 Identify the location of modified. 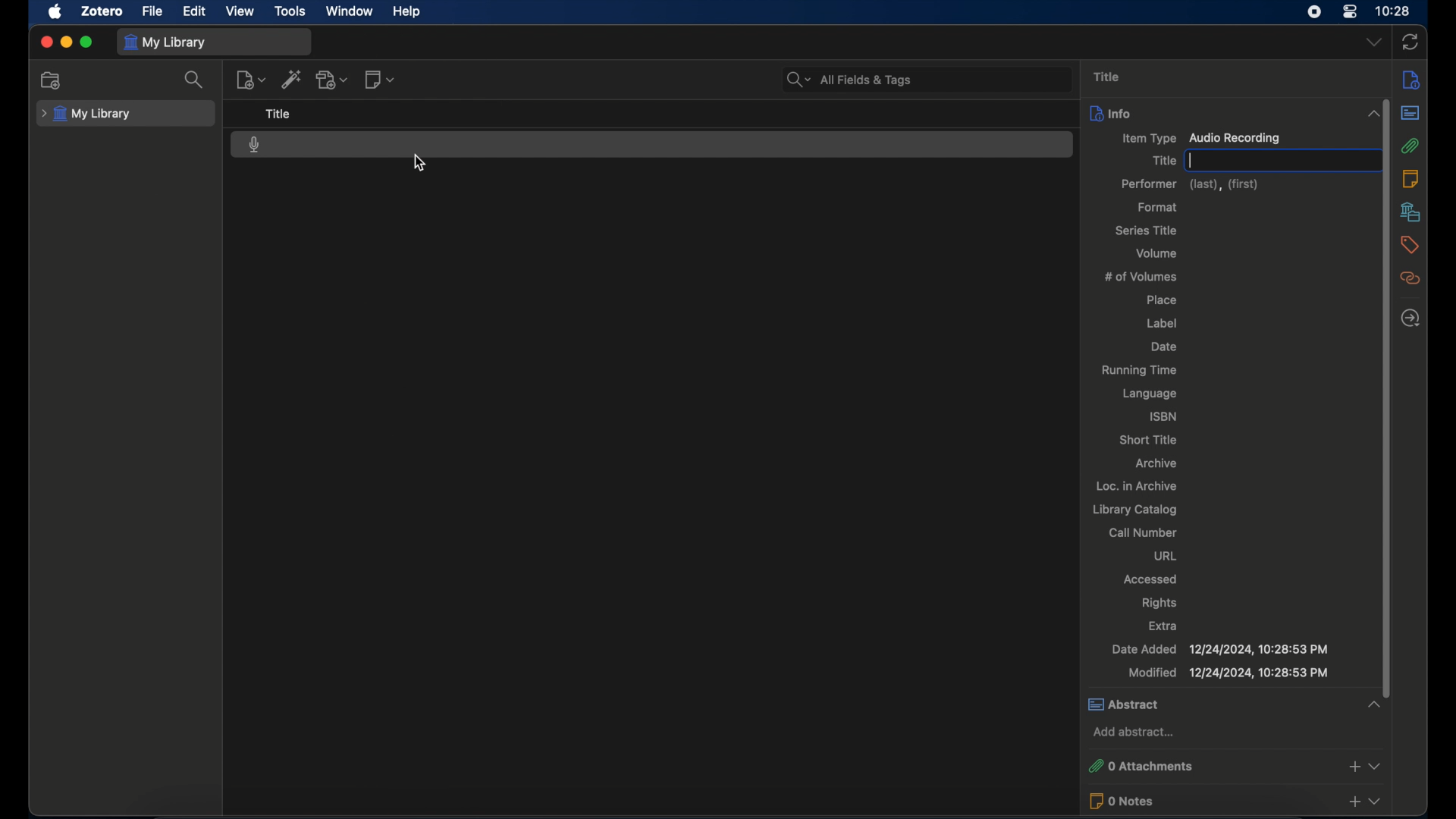
(1230, 673).